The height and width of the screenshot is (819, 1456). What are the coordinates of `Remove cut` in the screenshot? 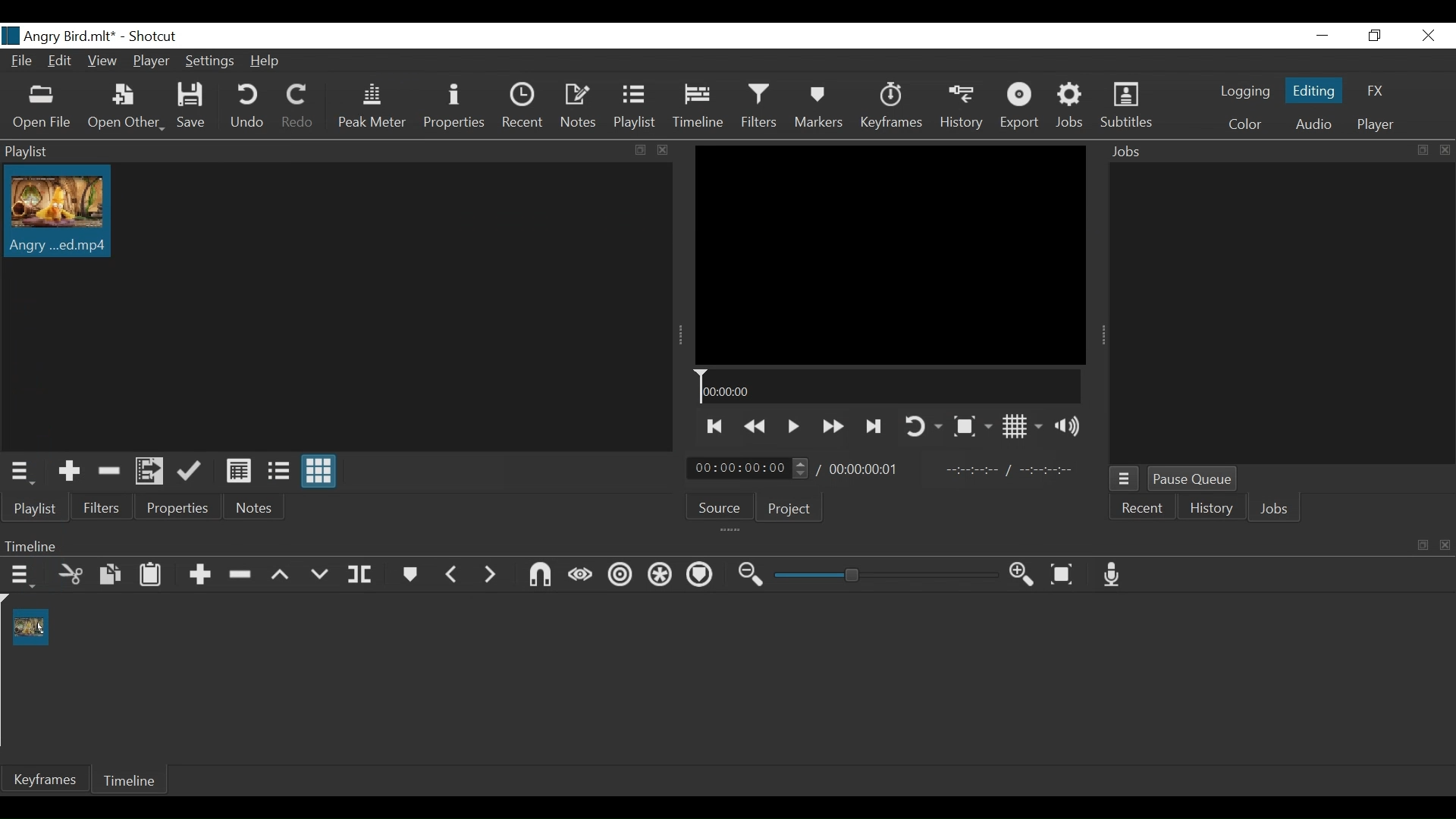 It's located at (105, 471).